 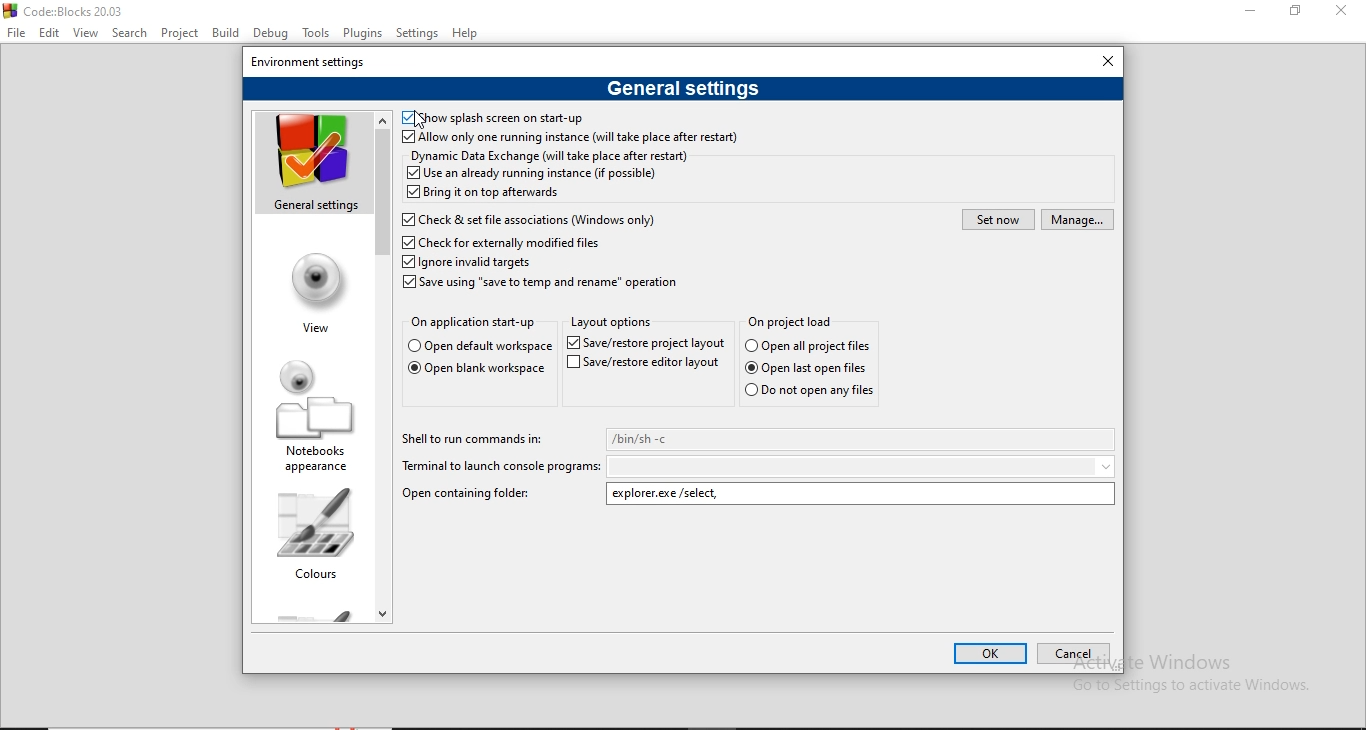 What do you see at coordinates (683, 88) in the screenshot?
I see `general settings` at bounding box center [683, 88].